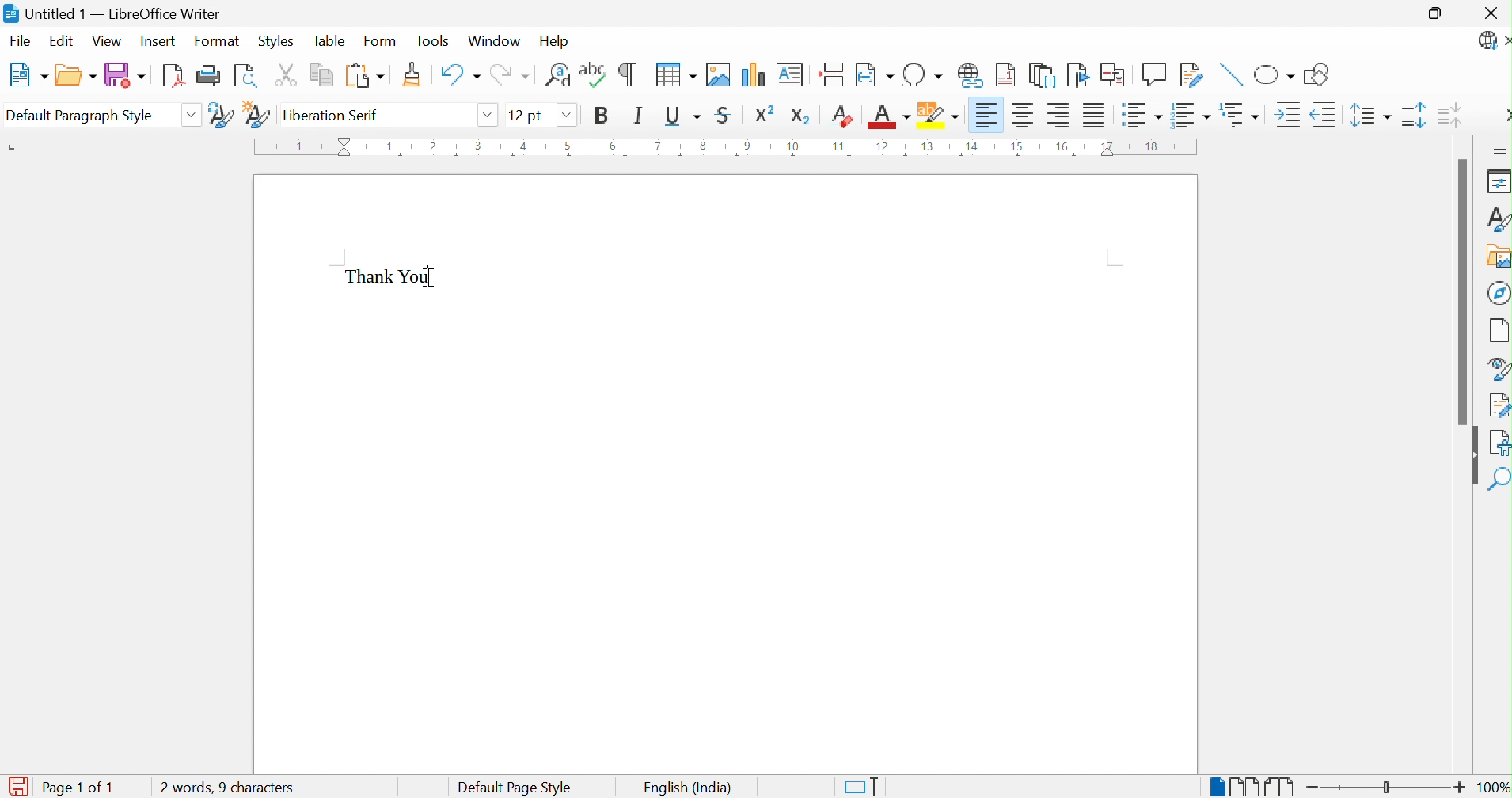 Image resolution: width=1512 pixels, height=798 pixels. Describe the element at coordinates (1189, 114) in the screenshot. I see `Toggle Ordered List` at that location.